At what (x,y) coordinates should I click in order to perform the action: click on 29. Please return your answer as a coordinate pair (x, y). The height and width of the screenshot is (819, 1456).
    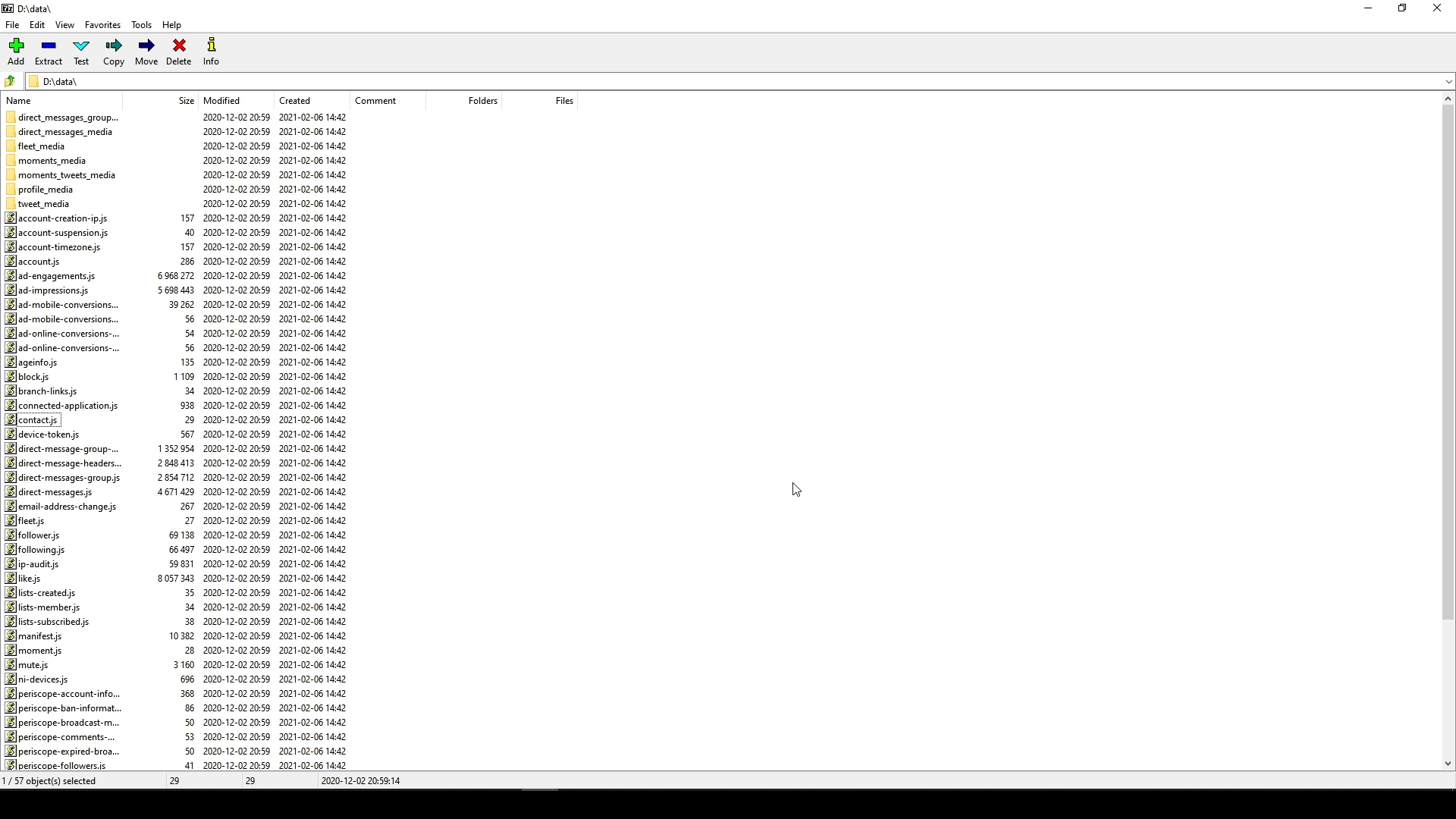
    Looking at the image, I should click on (168, 780).